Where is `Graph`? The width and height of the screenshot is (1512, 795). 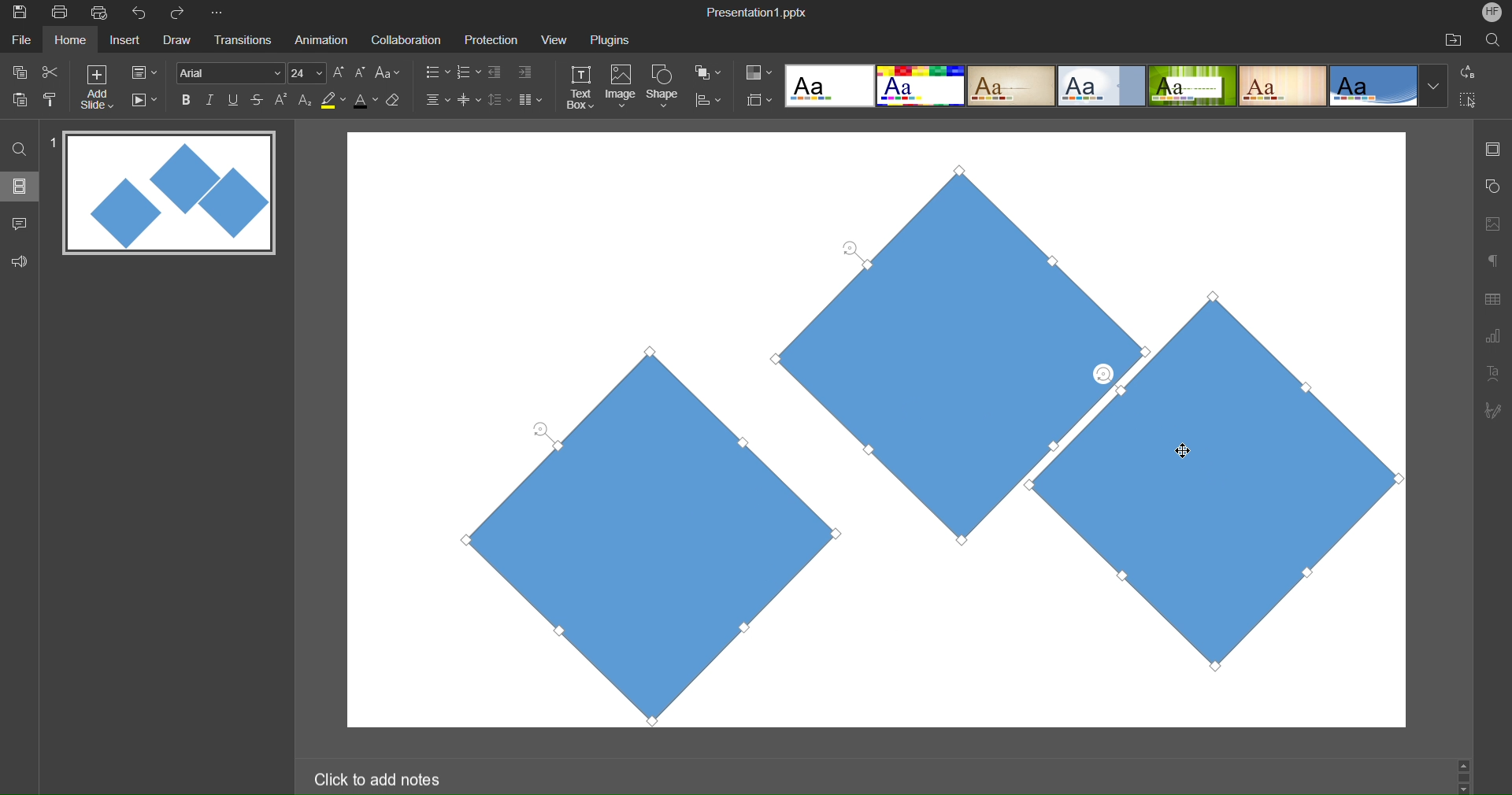
Graph is located at coordinates (1492, 338).